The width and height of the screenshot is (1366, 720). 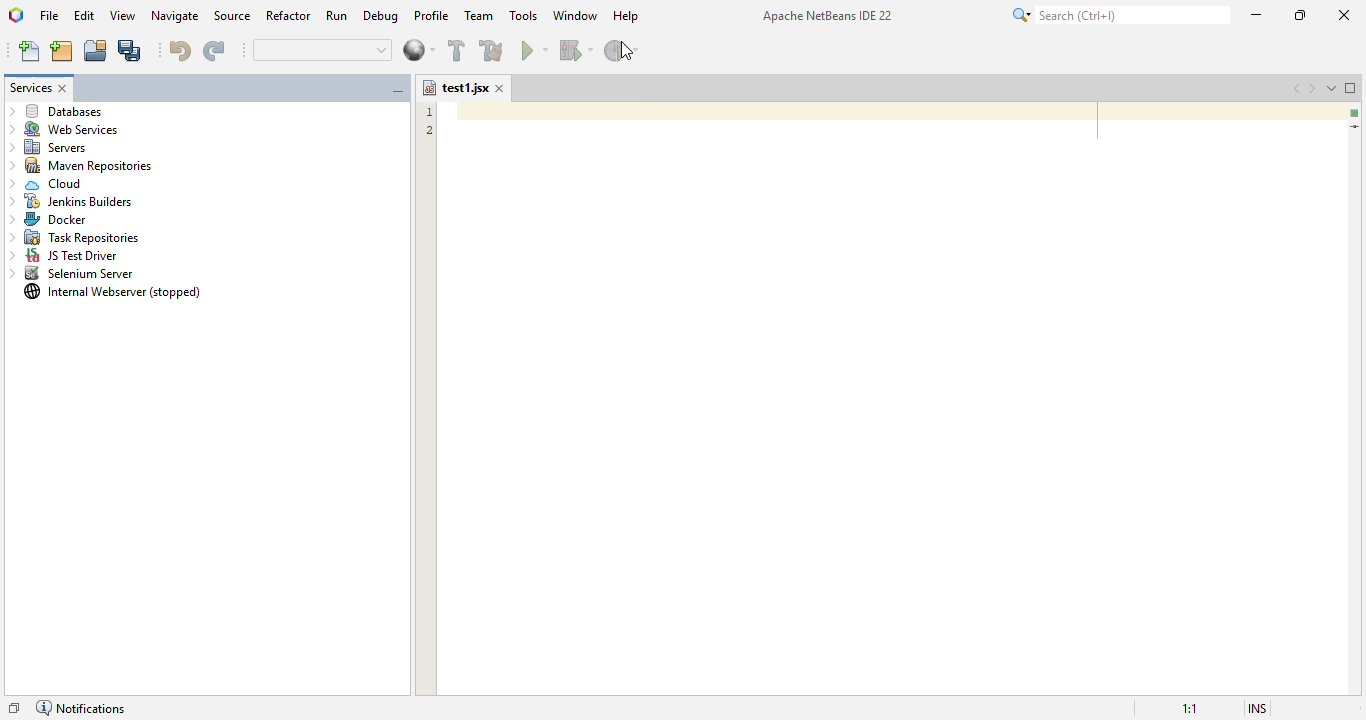 I want to click on 1, so click(x=430, y=112).